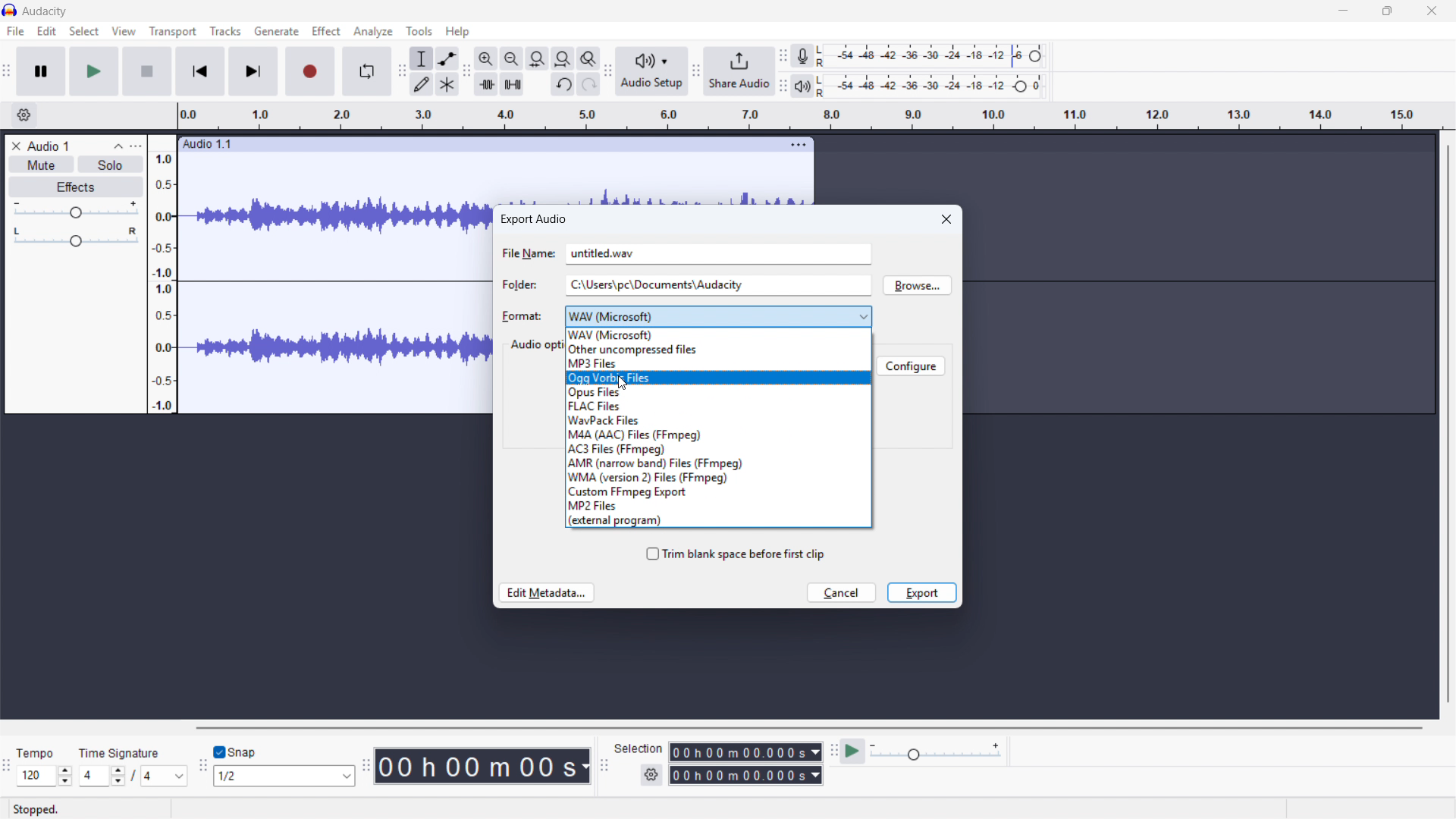  What do you see at coordinates (253, 71) in the screenshot?
I see `Skip to last ` at bounding box center [253, 71].